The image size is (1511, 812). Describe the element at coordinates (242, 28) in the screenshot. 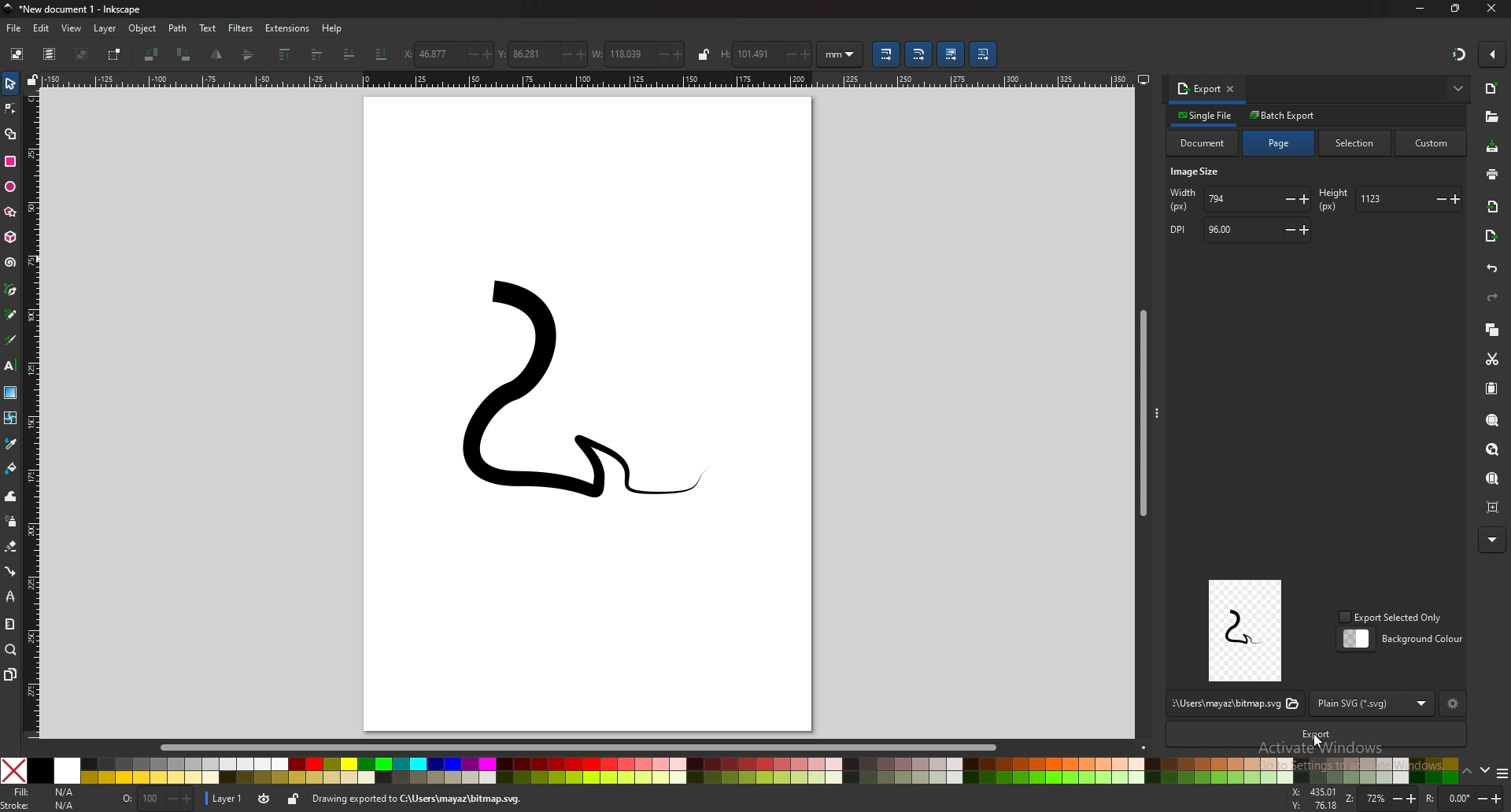

I see `filters` at that location.